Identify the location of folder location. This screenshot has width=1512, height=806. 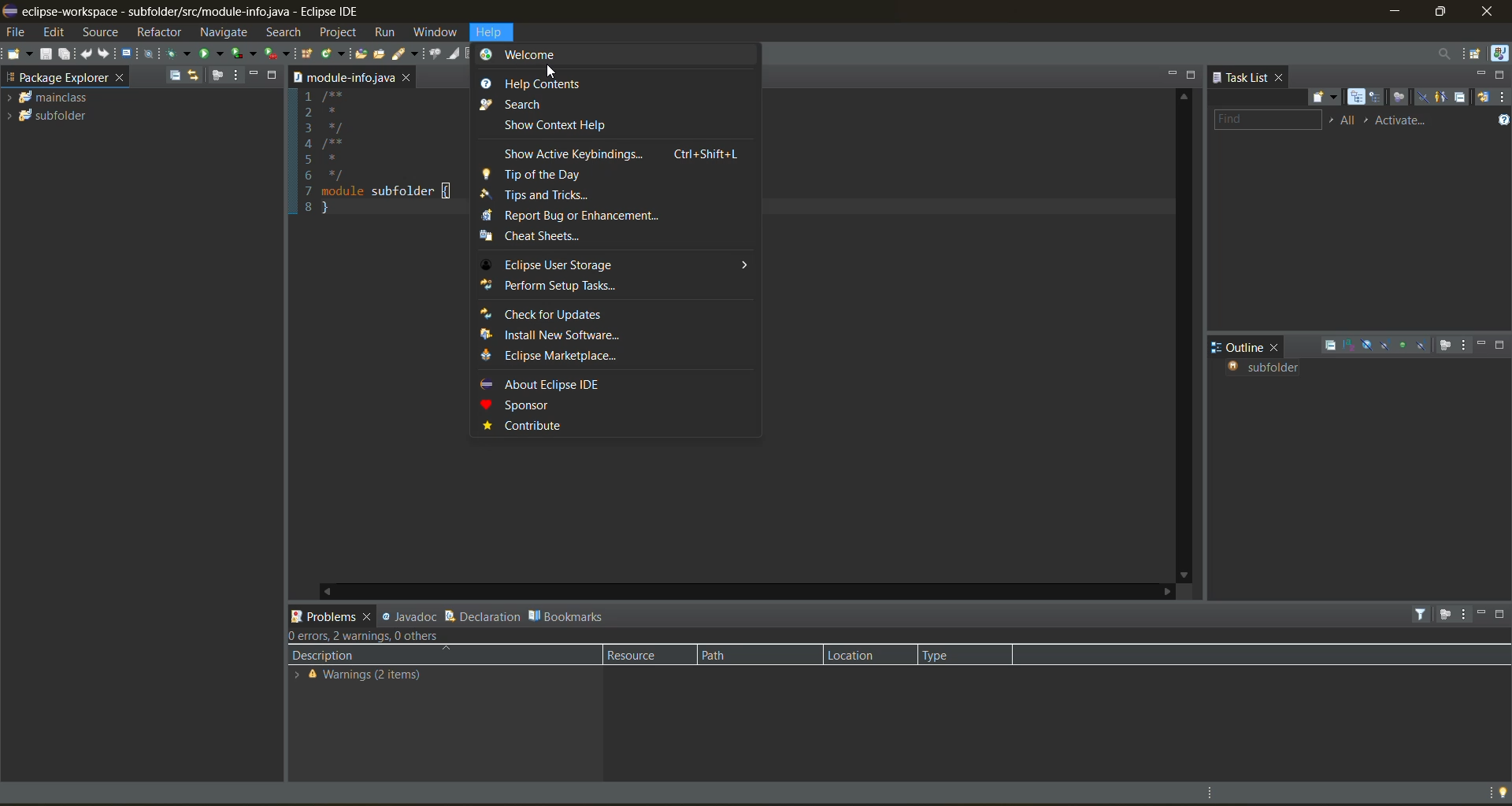
(342, 78).